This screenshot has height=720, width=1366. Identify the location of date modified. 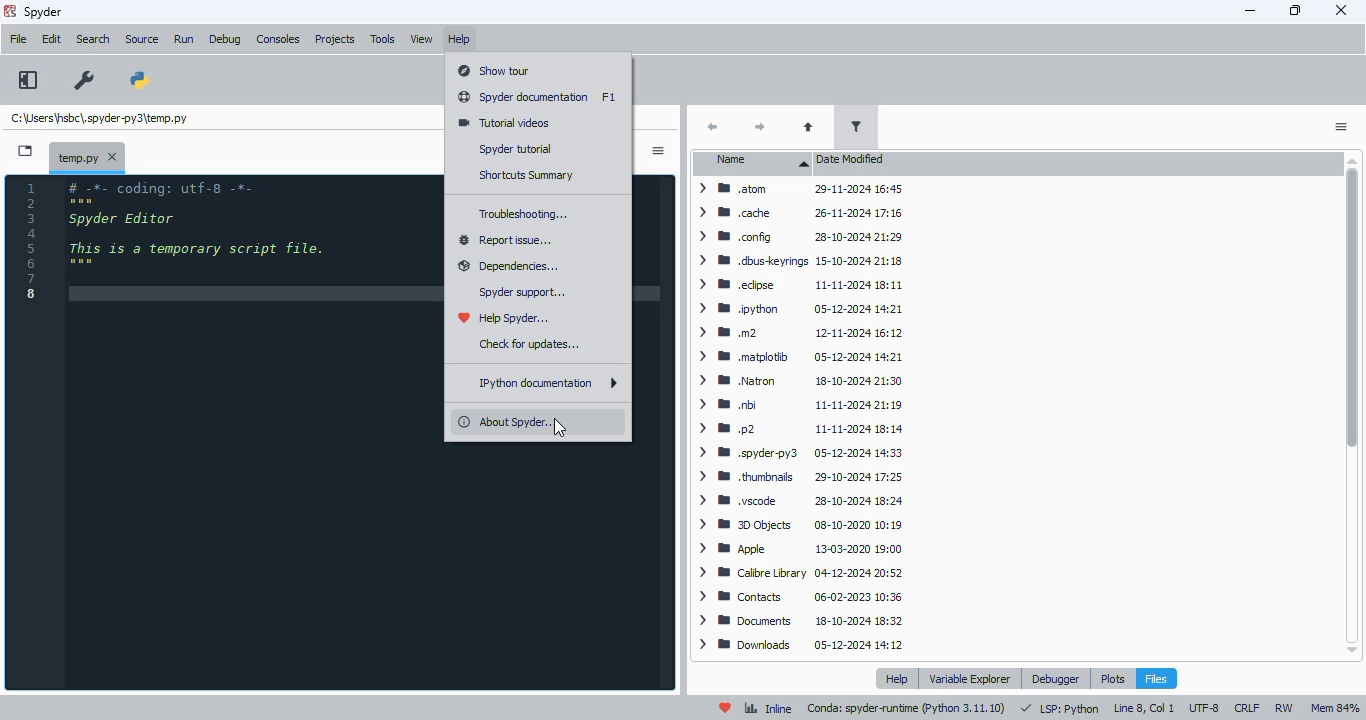
(851, 158).